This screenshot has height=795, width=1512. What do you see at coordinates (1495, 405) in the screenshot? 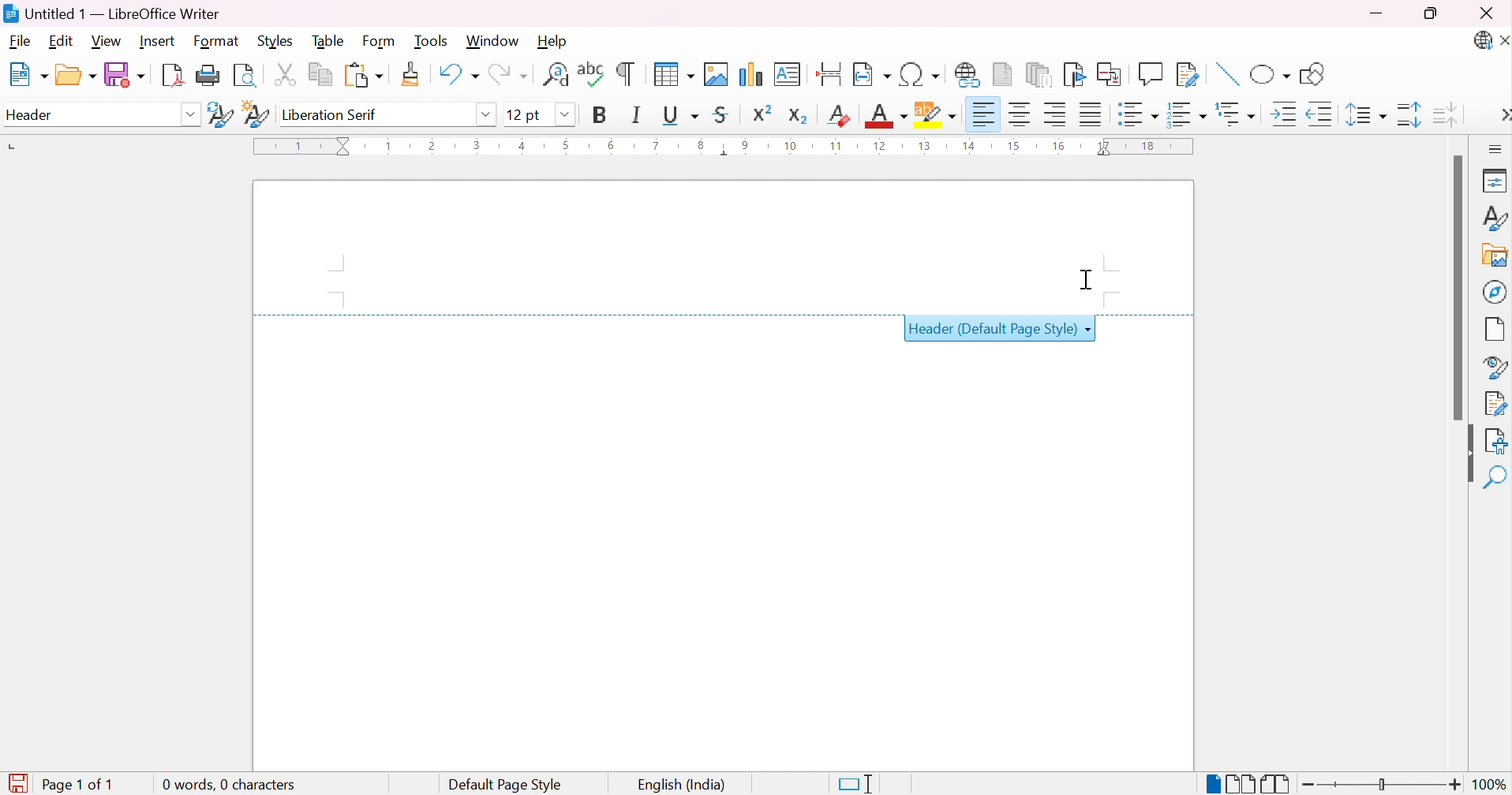
I see `Manage changes` at bounding box center [1495, 405].